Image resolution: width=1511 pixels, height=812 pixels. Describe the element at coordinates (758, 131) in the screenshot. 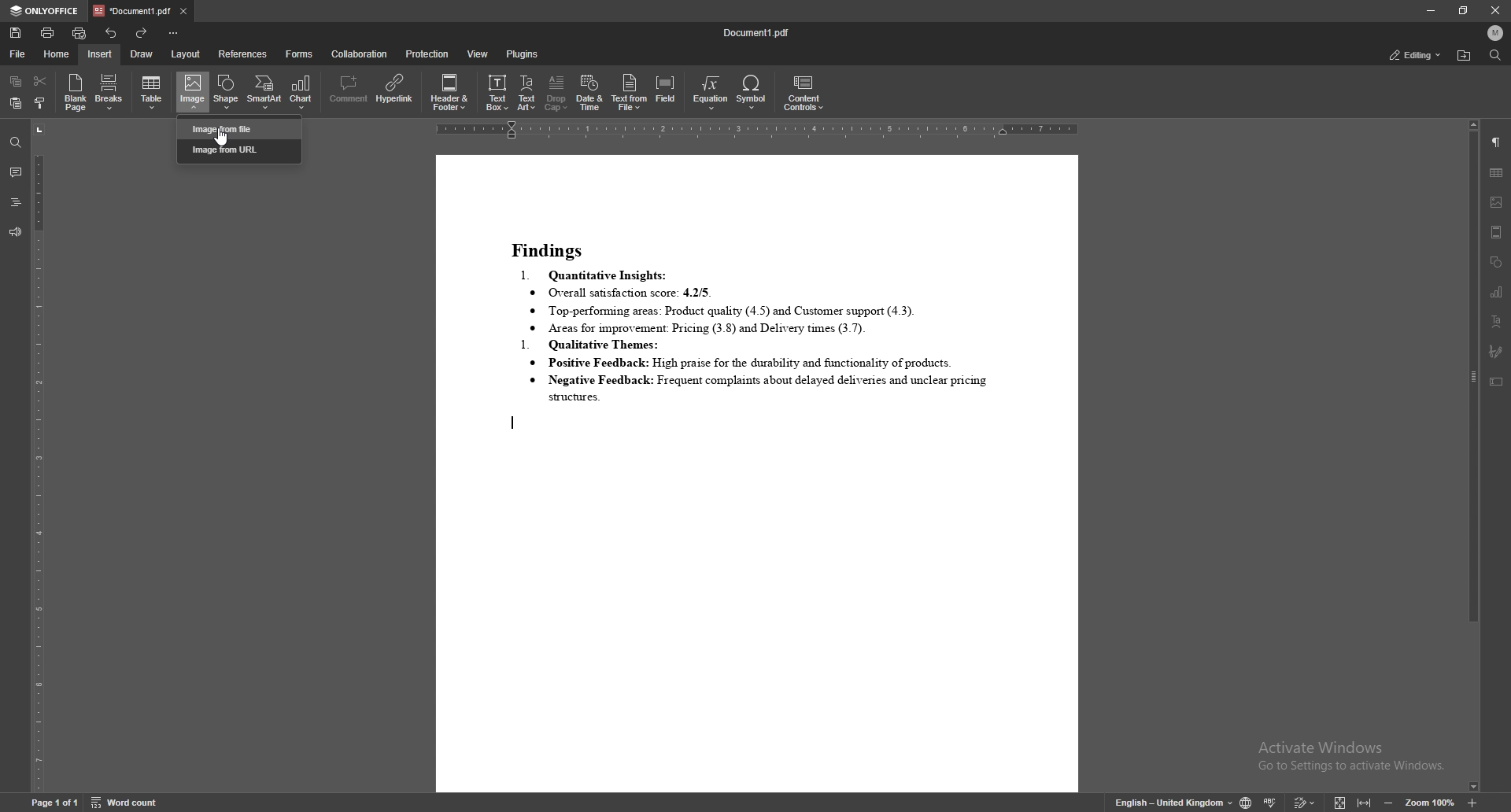

I see `horizontal scale` at that location.